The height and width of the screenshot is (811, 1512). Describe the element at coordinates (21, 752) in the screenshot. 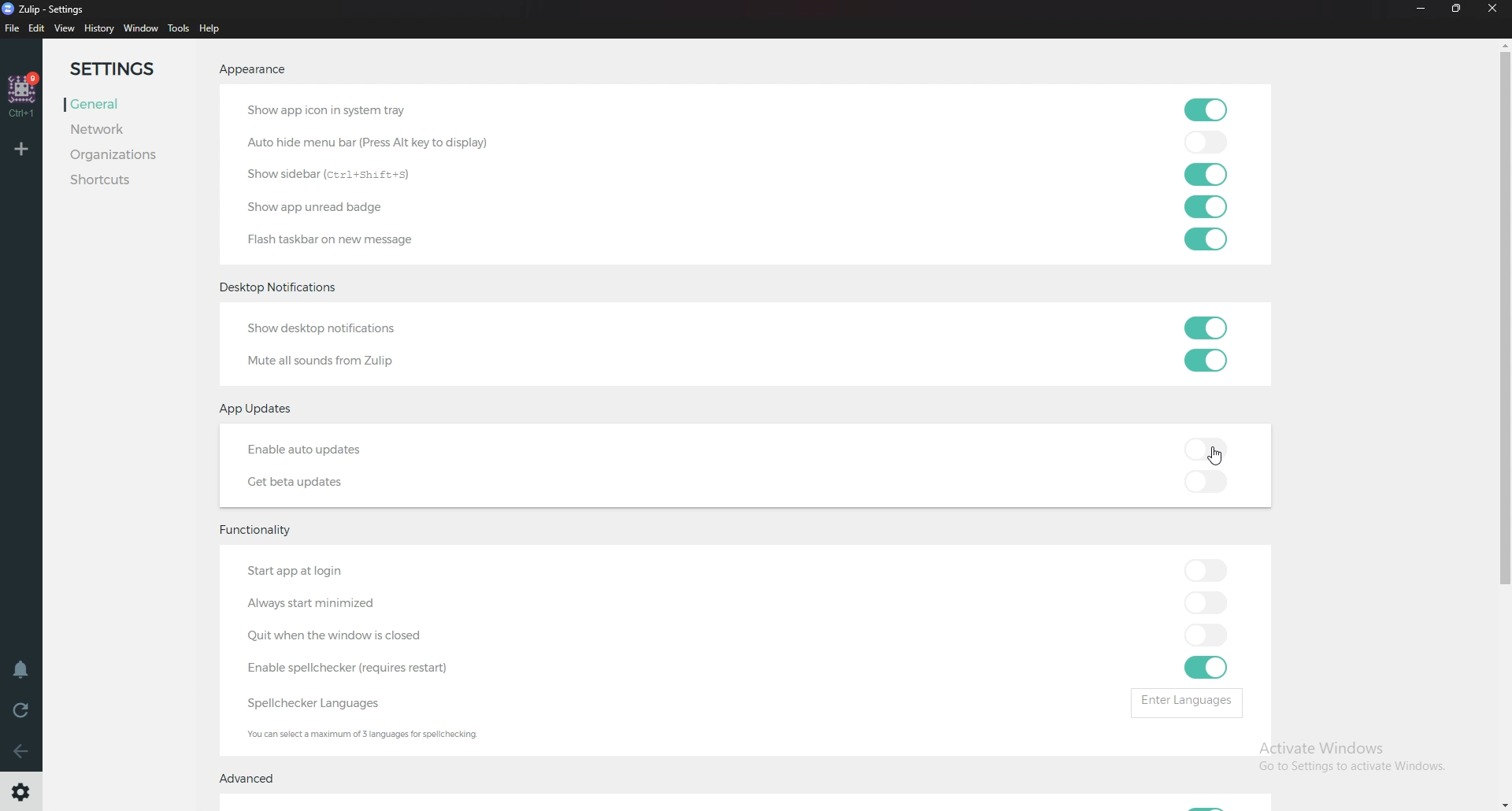

I see `back` at that location.